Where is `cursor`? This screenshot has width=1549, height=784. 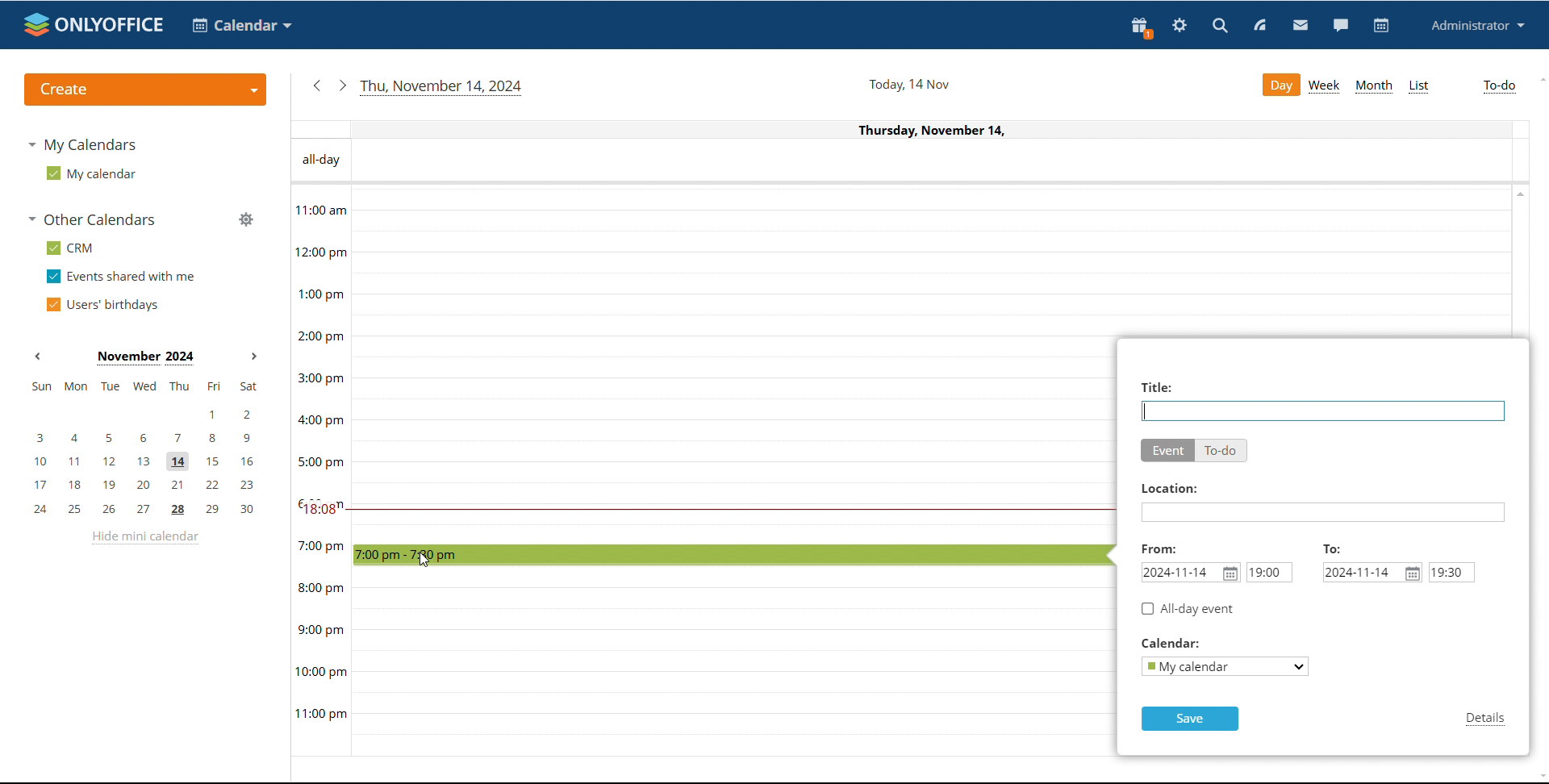 cursor is located at coordinates (424, 561).